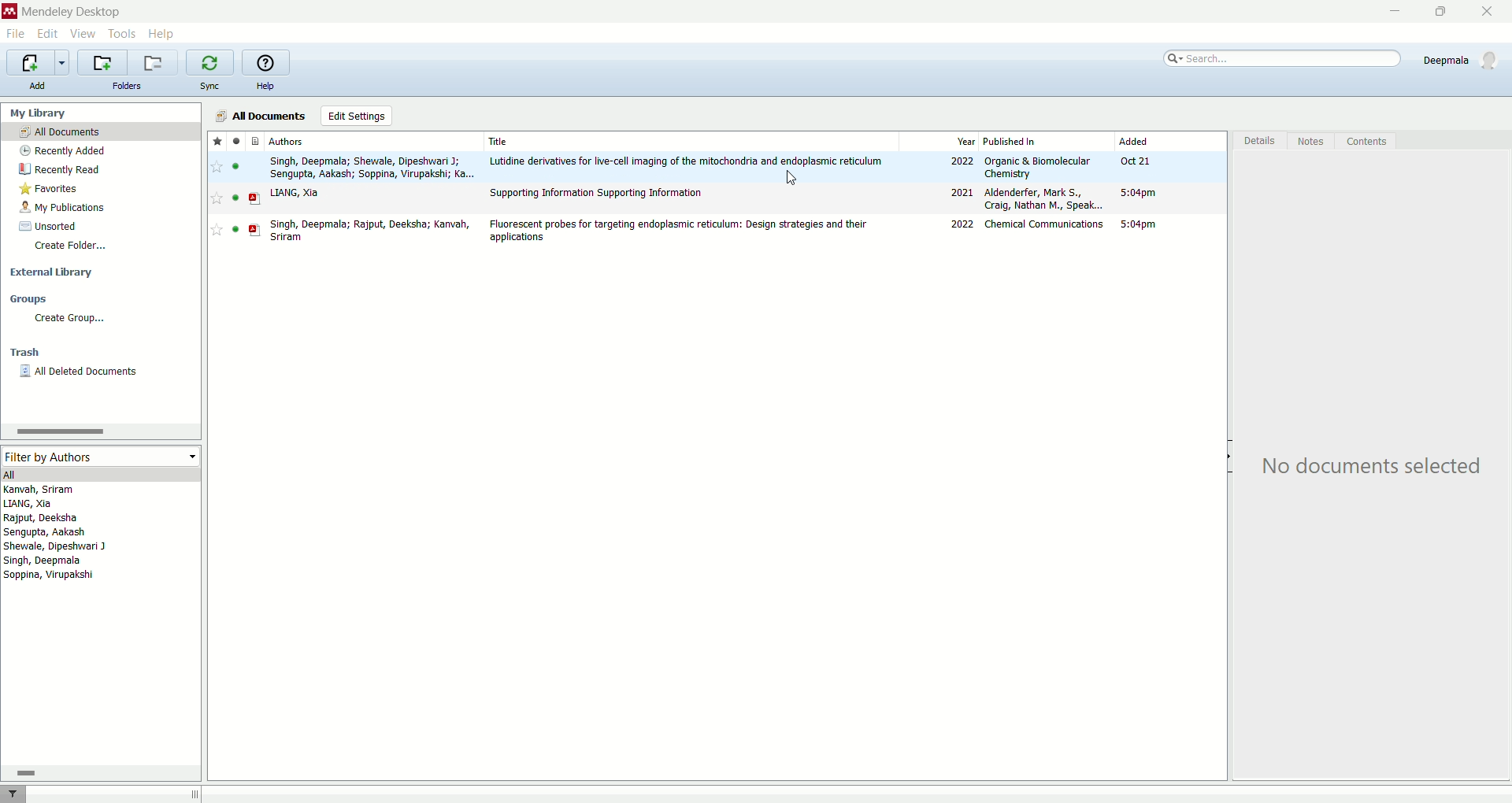 This screenshot has height=803, width=1512. Describe the element at coordinates (358, 116) in the screenshot. I see `edit settings` at that location.